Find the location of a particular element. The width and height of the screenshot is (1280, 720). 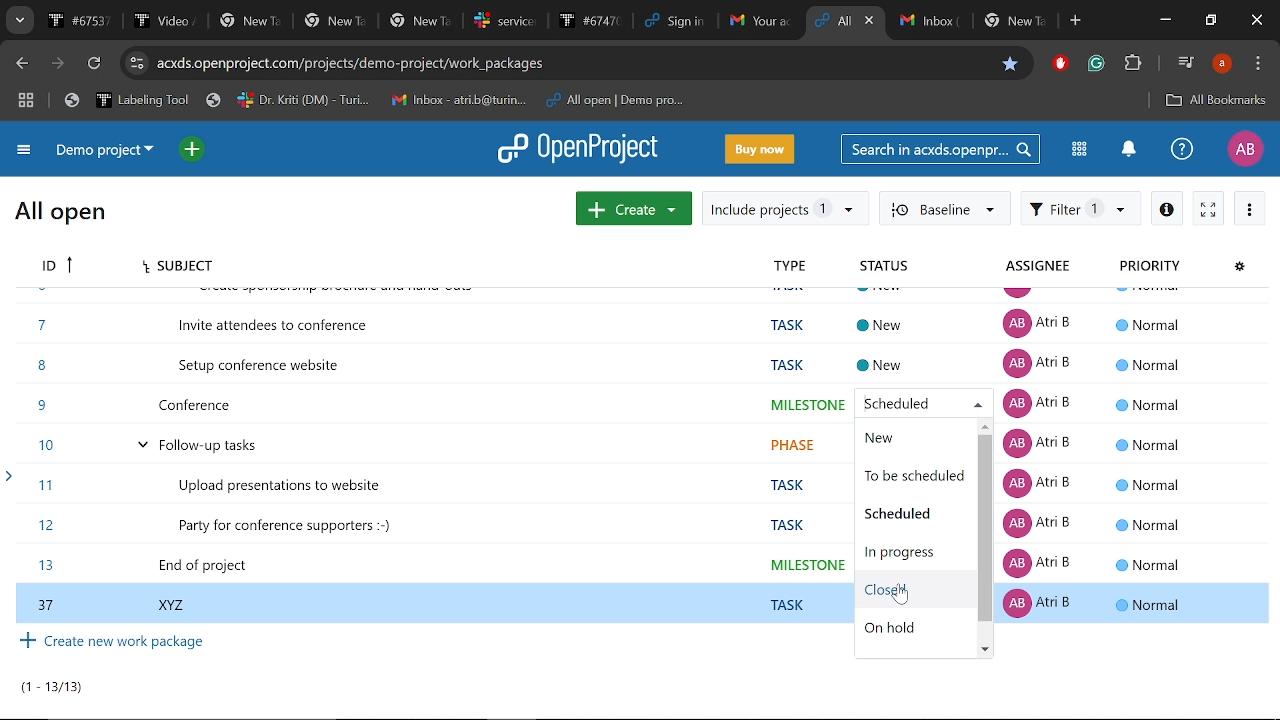

MOve down is located at coordinates (986, 650).